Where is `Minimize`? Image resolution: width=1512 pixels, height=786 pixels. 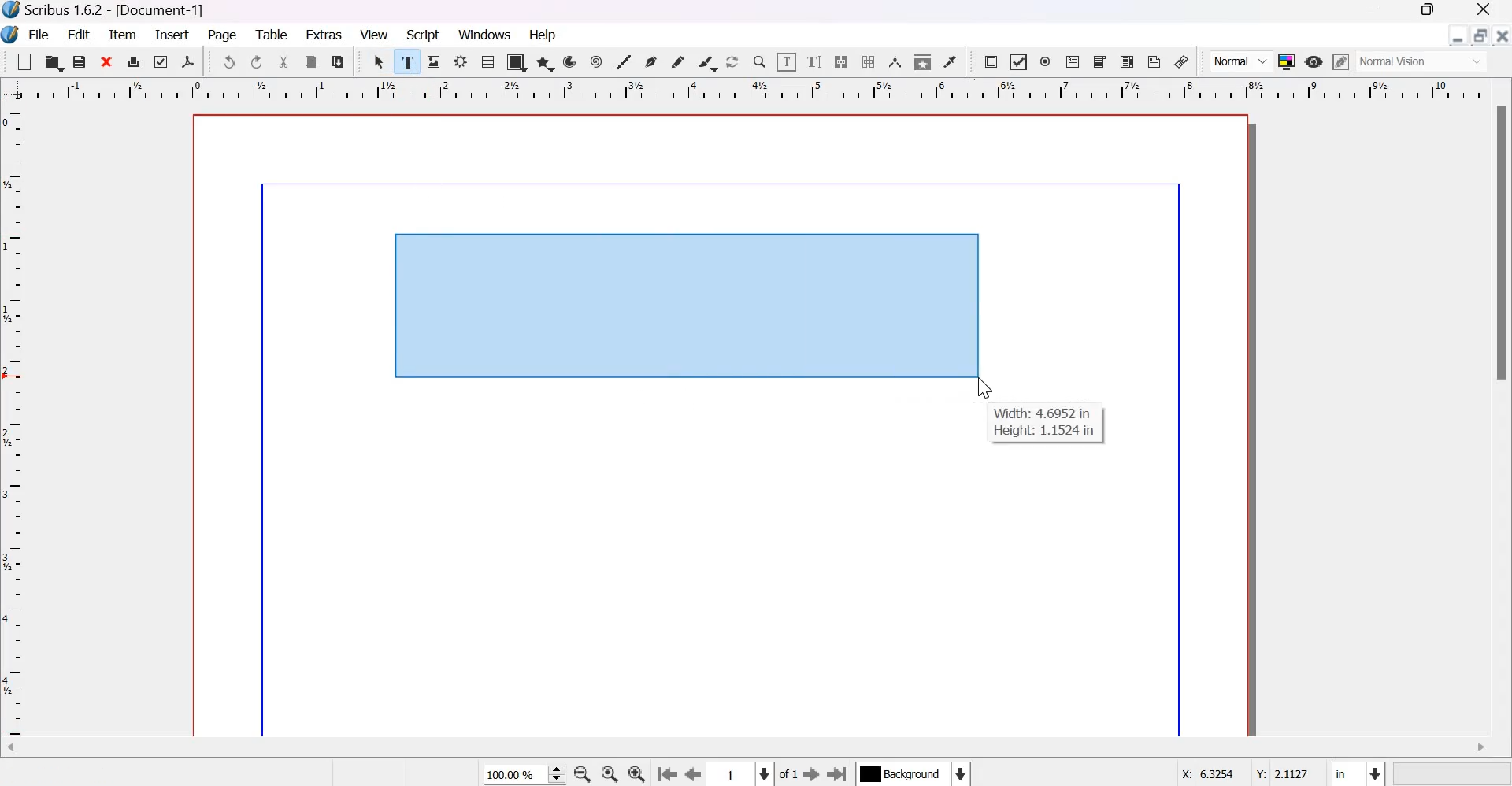 Minimize is located at coordinates (1374, 11).